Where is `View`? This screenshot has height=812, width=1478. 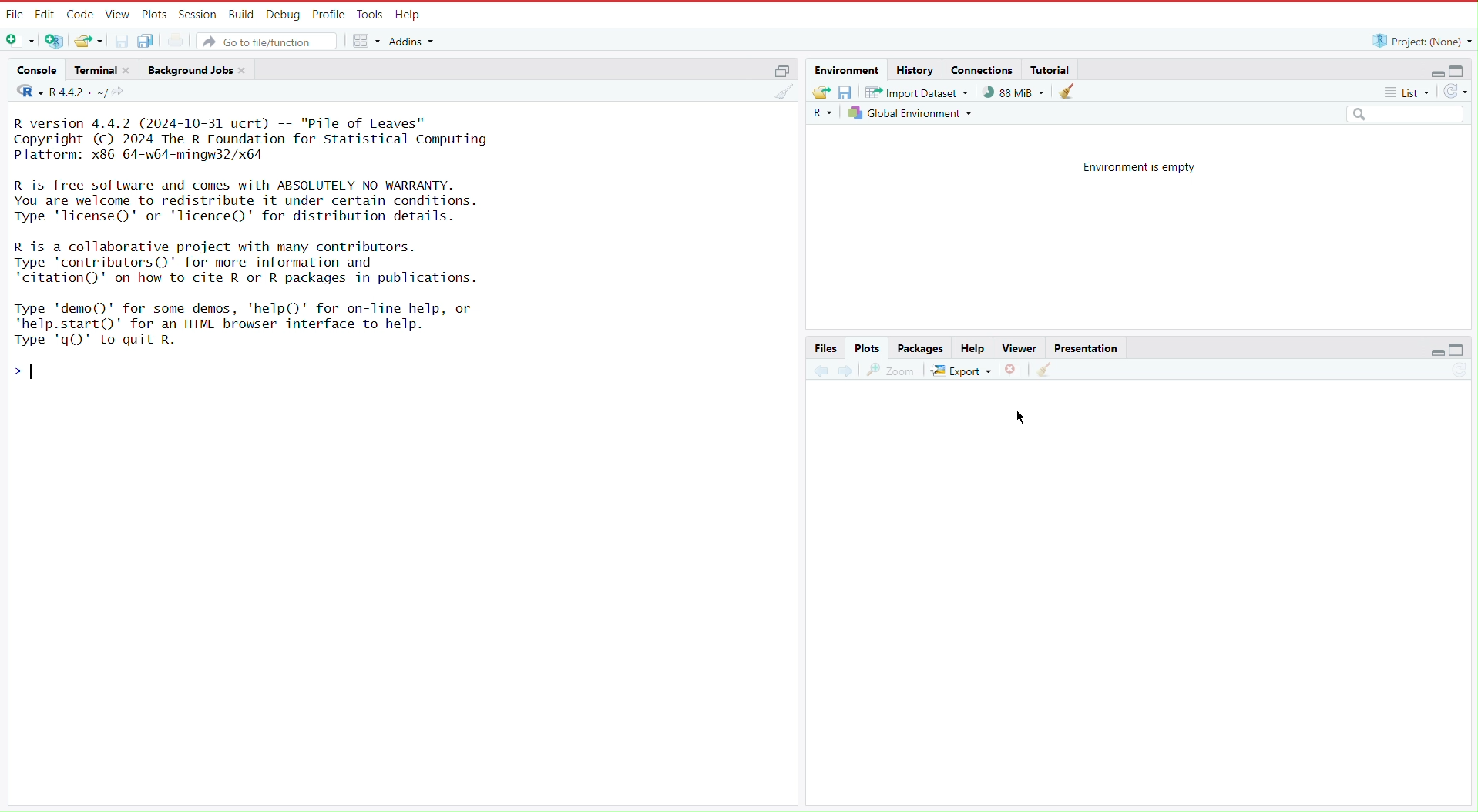 View is located at coordinates (116, 15).